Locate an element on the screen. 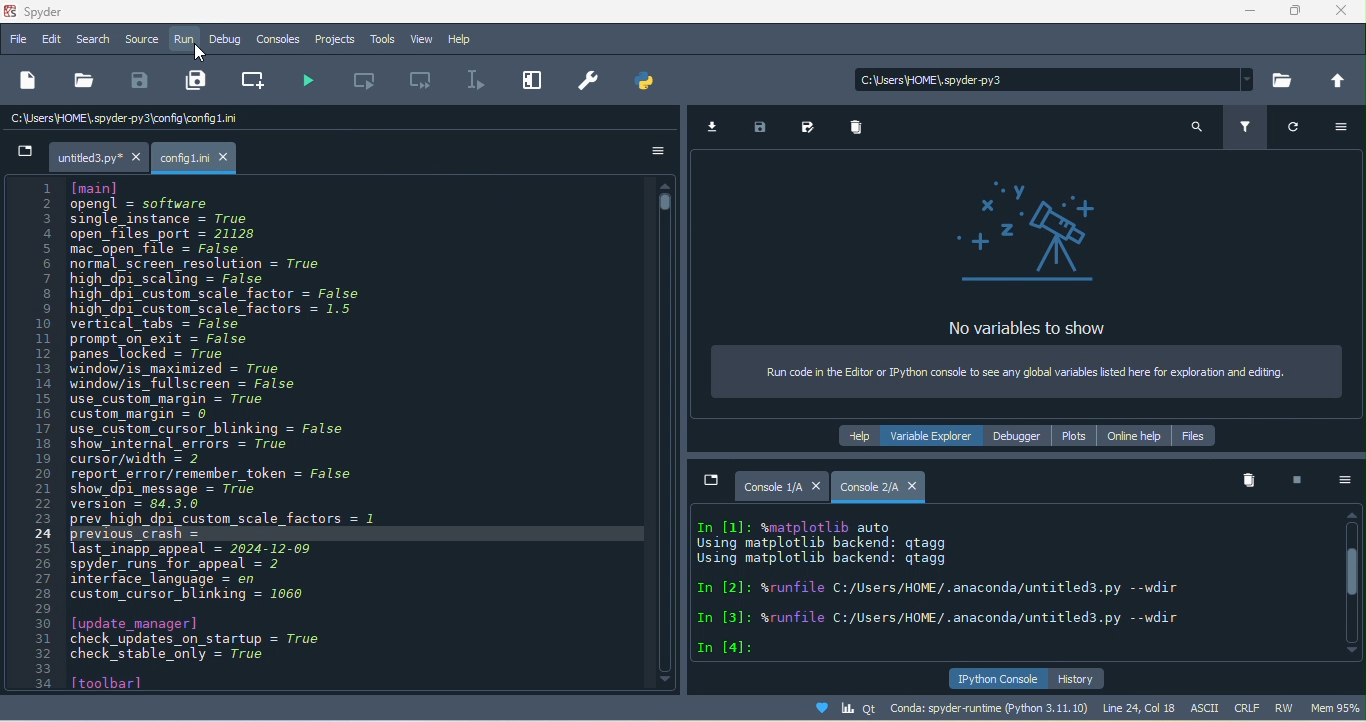 This screenshot has height=722, width=1366. save as is located at coordinates (808, 126).